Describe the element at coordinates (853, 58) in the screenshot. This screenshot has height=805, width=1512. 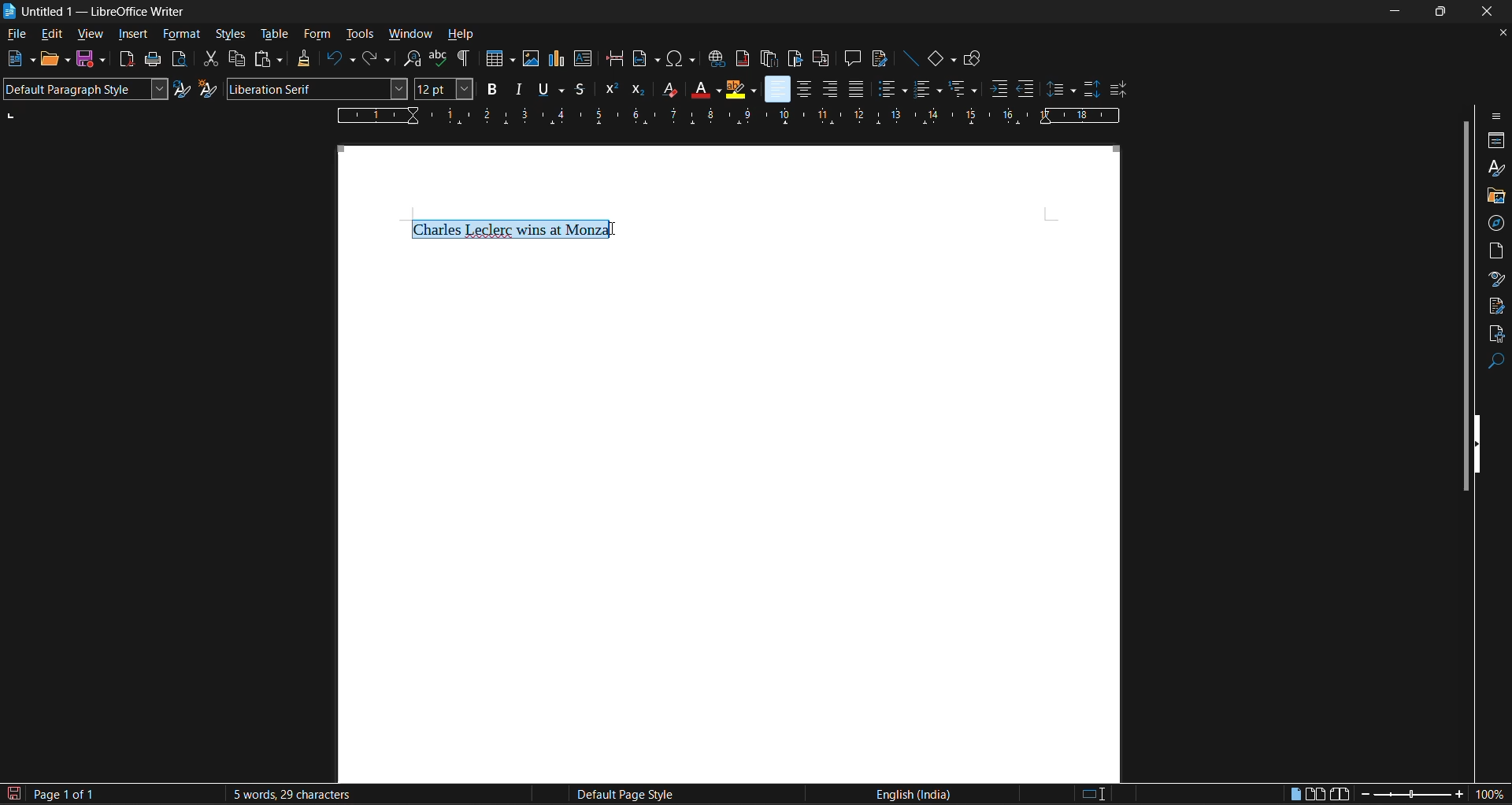
I see `insert comments` at that location.